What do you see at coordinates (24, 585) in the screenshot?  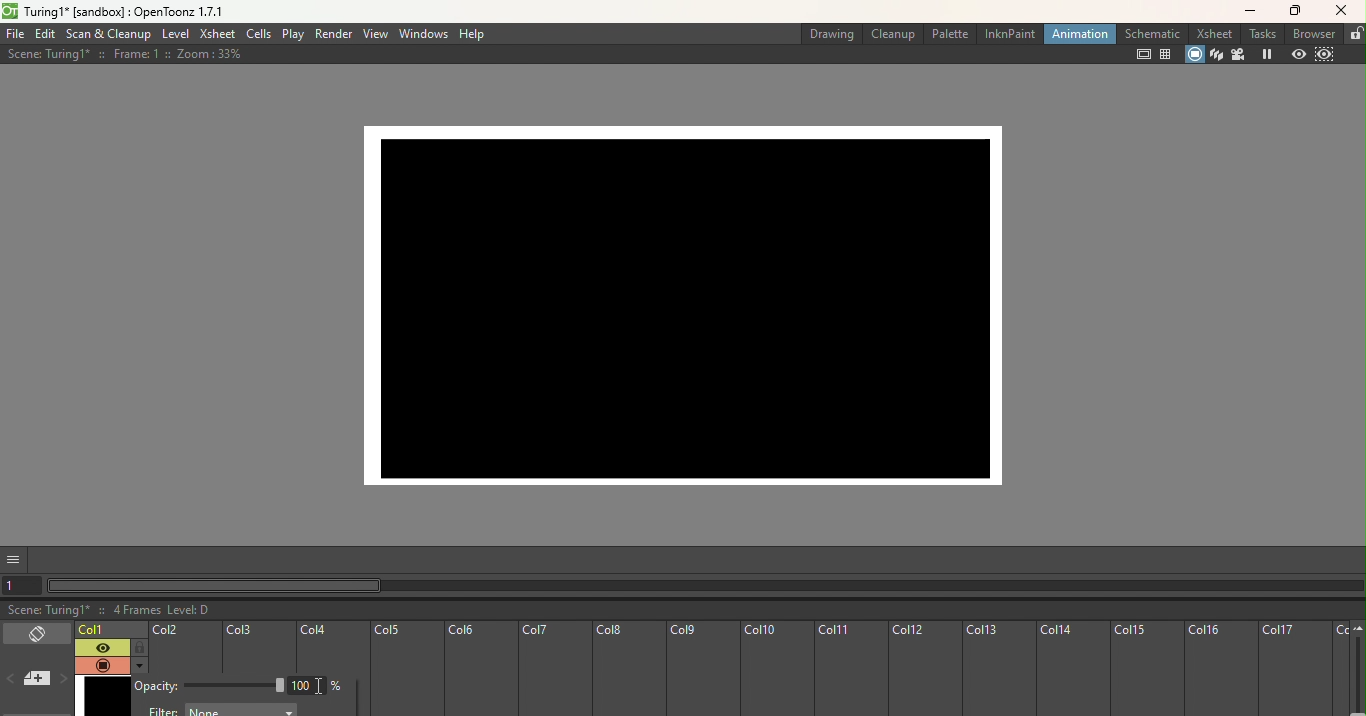 I see `Set the current frame` at bounding box center [24, 585].